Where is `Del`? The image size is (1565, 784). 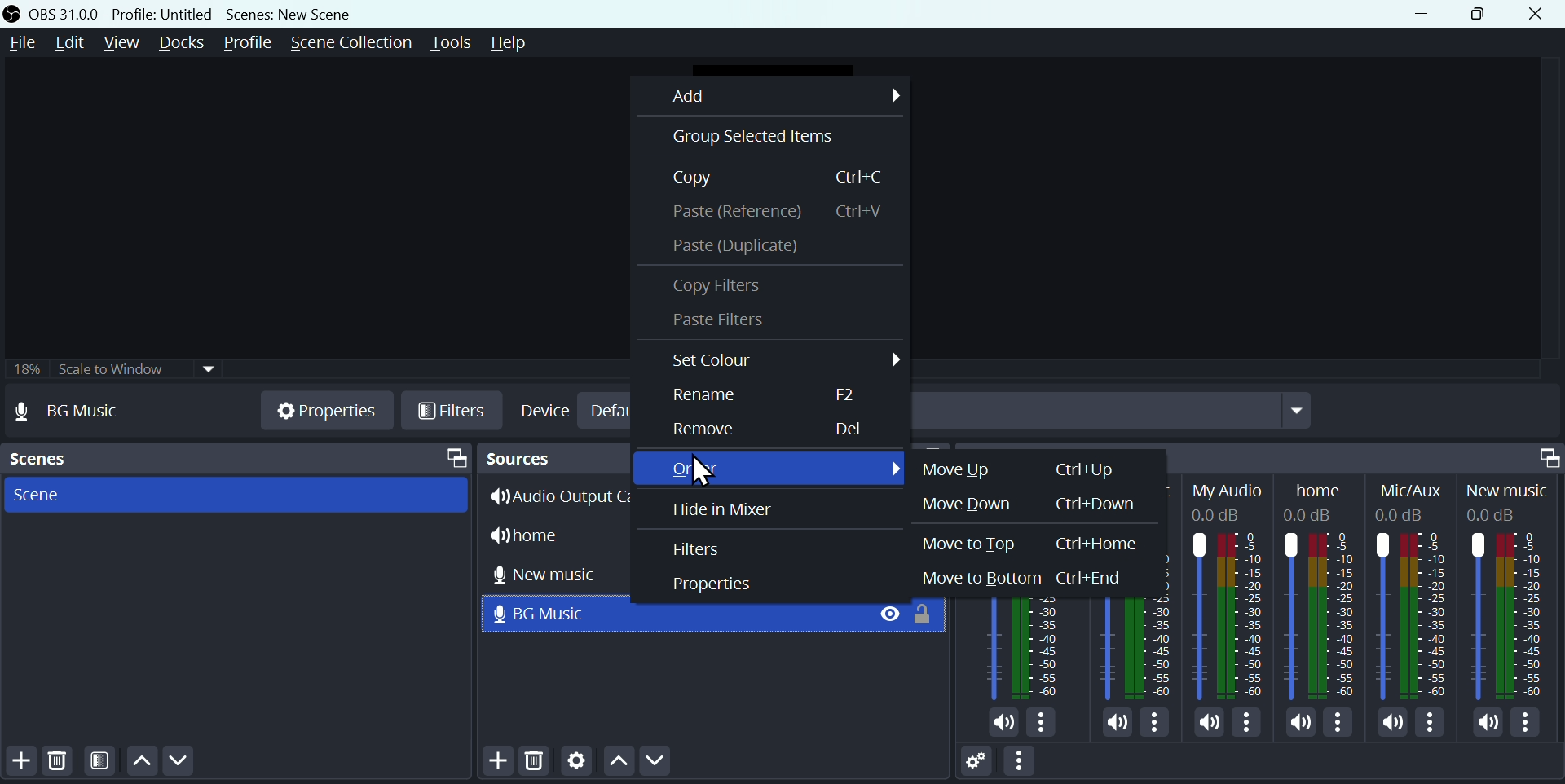 Del is located at coordinates (849, 430).